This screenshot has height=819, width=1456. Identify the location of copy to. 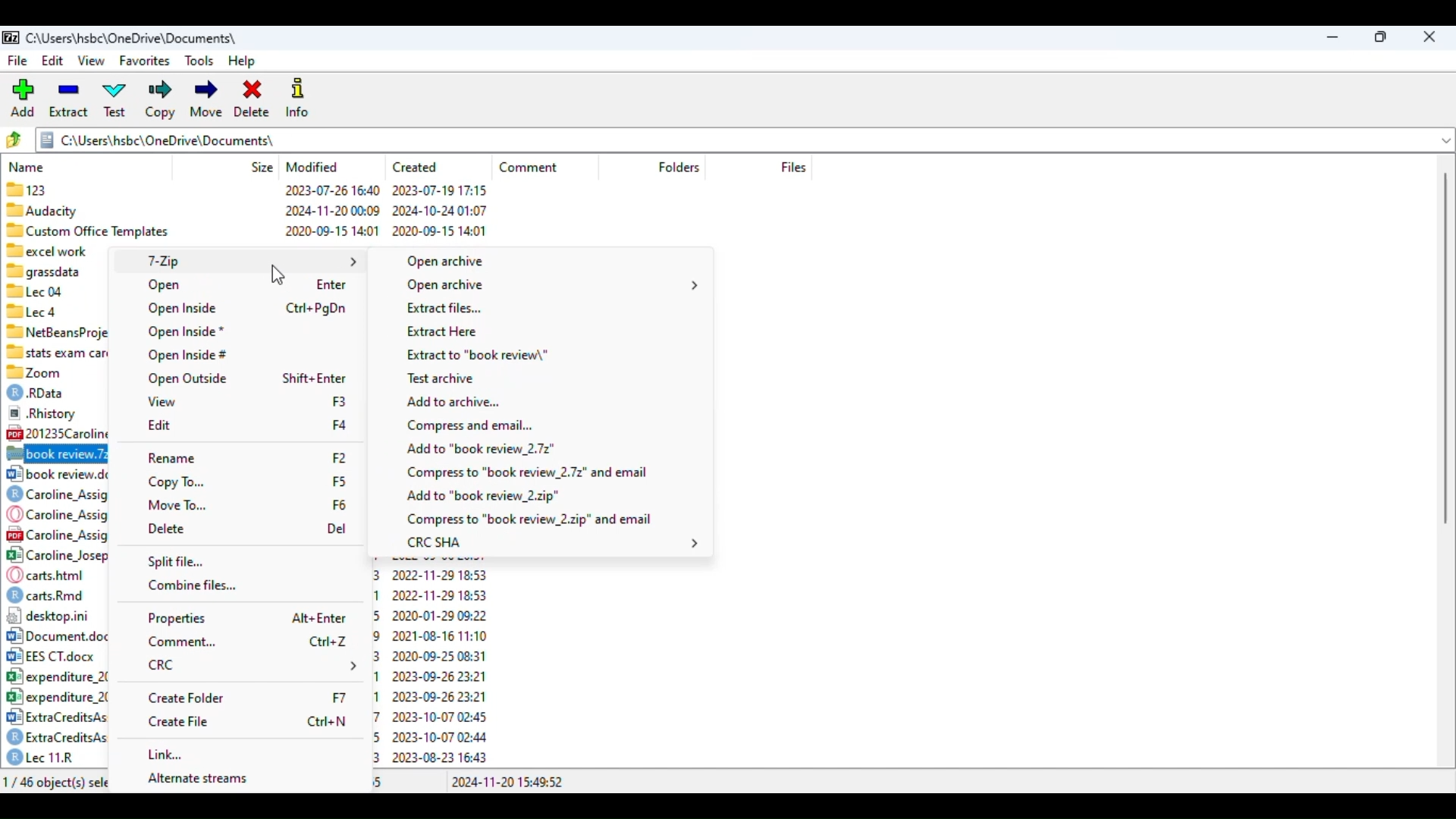
(177, 482).